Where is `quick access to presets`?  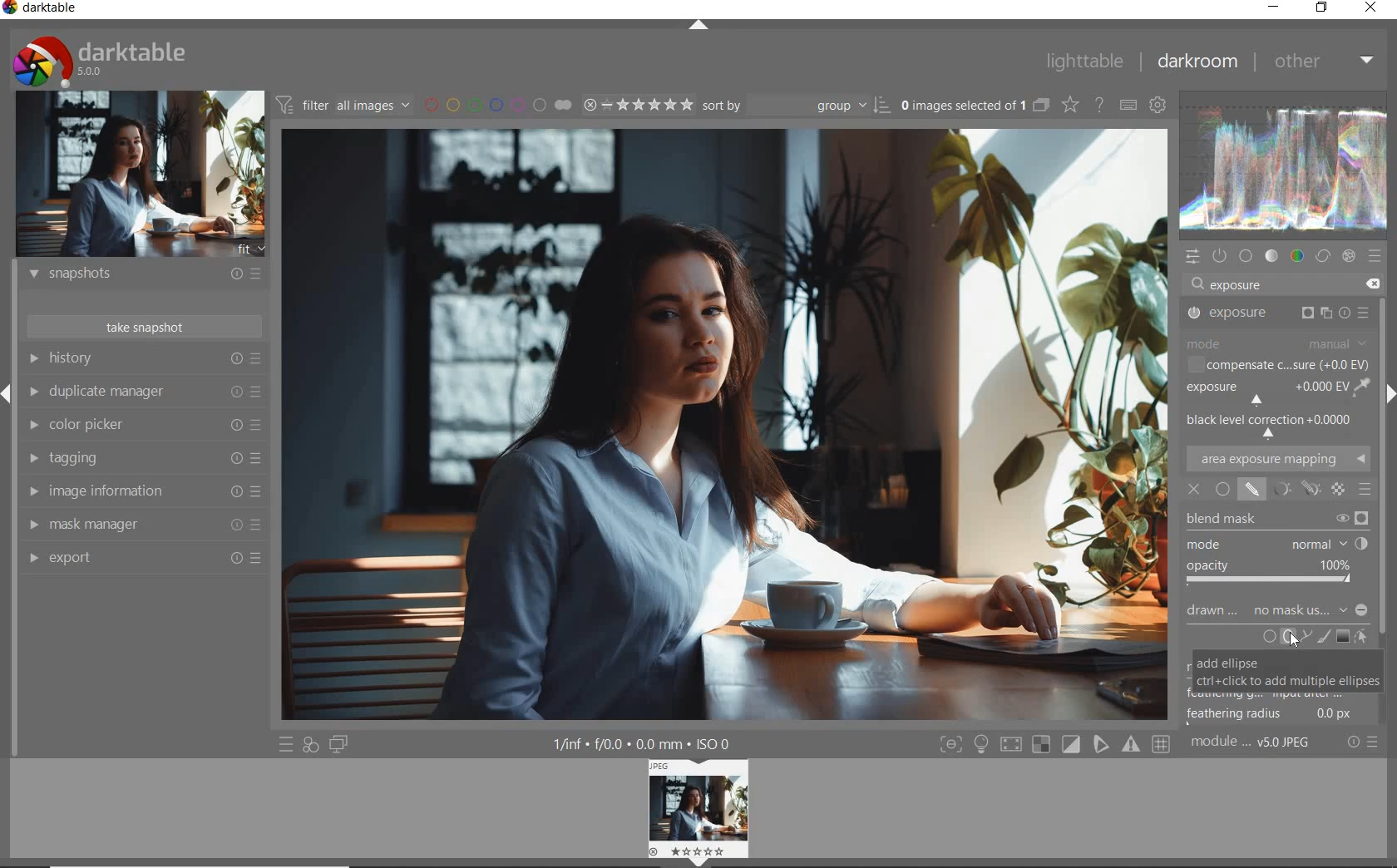 quick access to presets is located at coordinates (287, 743).